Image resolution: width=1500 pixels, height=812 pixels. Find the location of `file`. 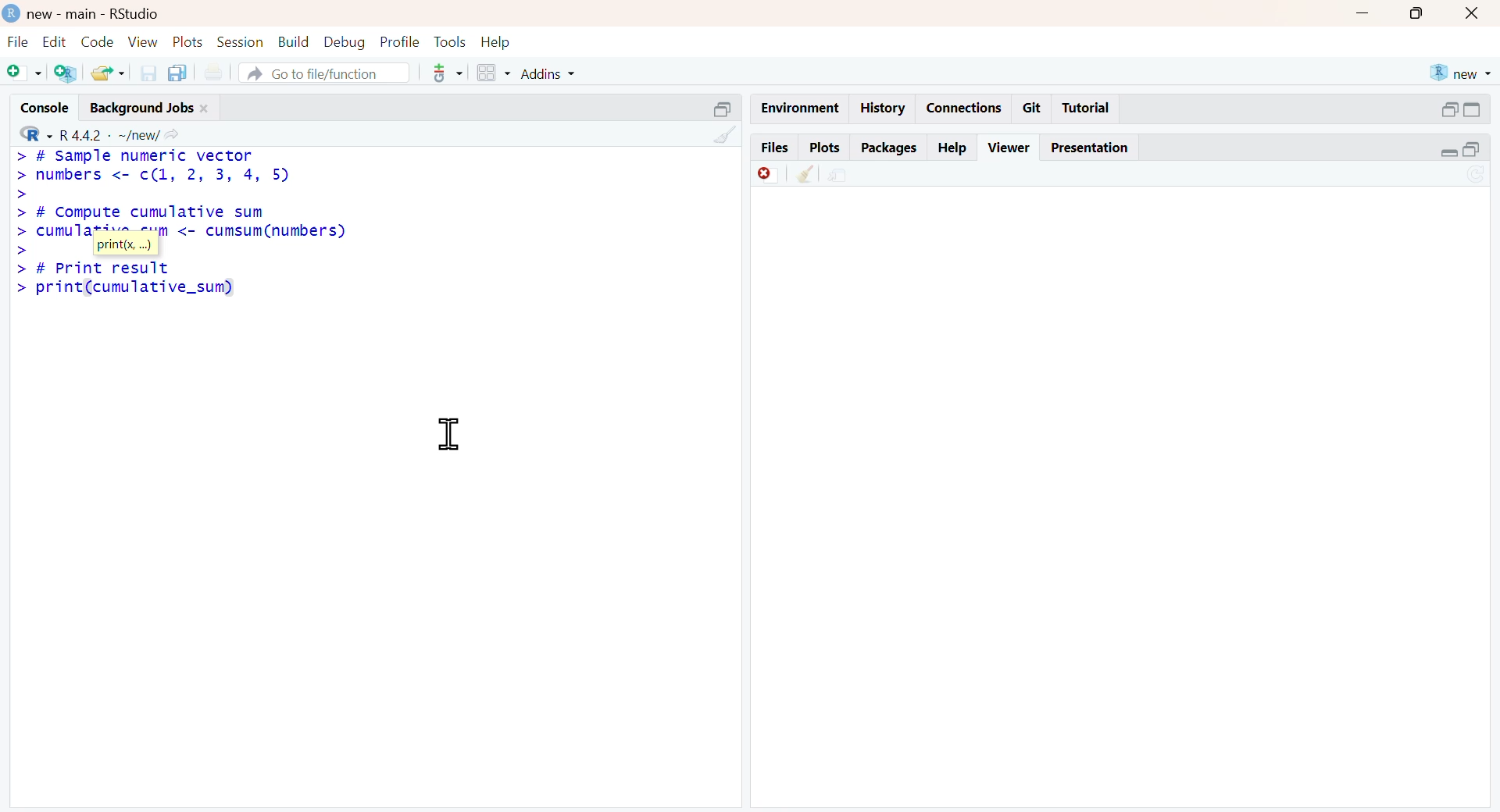

file is located at coordinates (20, 41).